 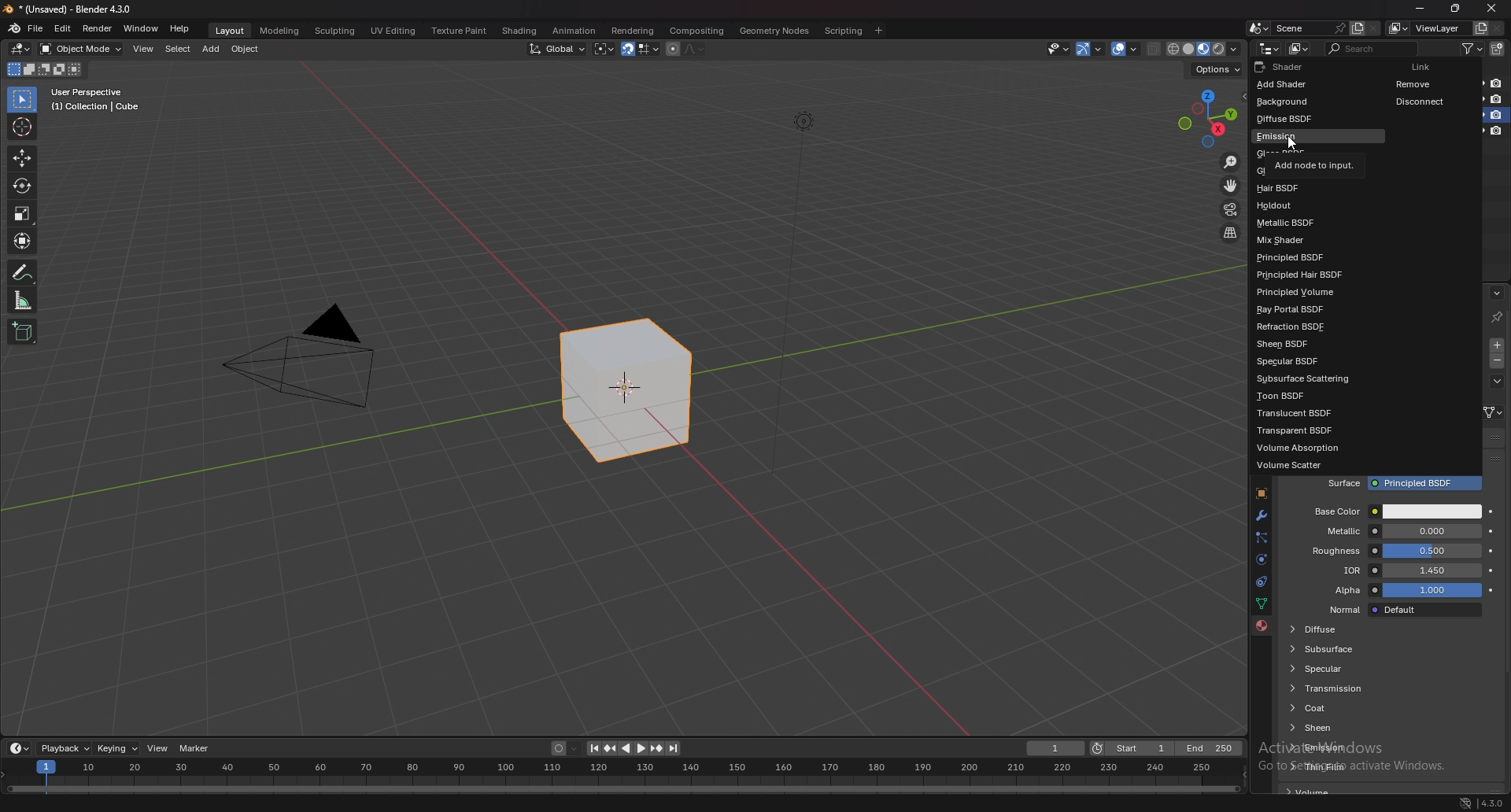 I want to click on transparent bsdf, so click(x=1306, y=430).